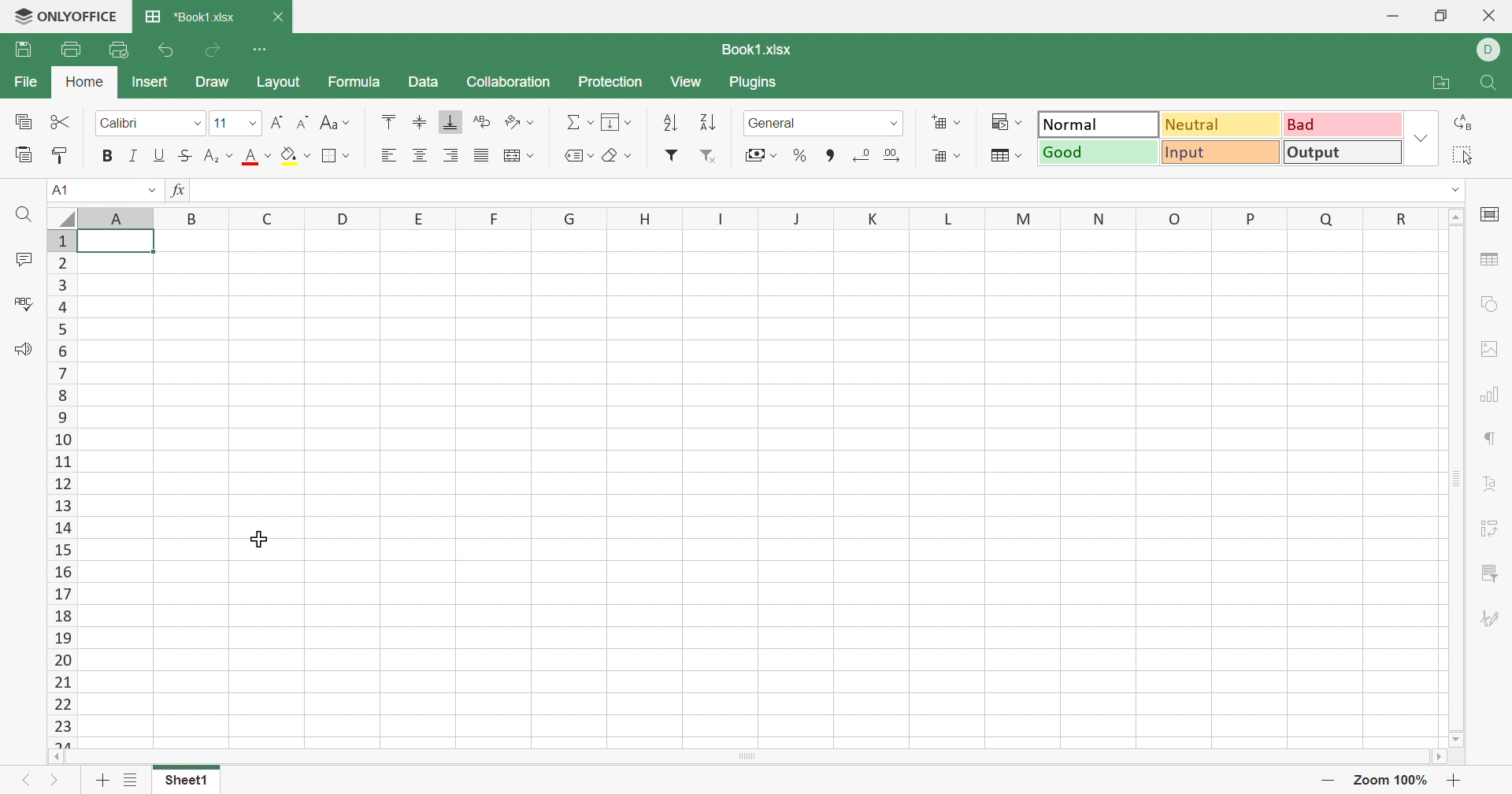 This screenshot has width=1512, height=794. I want to click on Decrease decimal, so click(862, 154).